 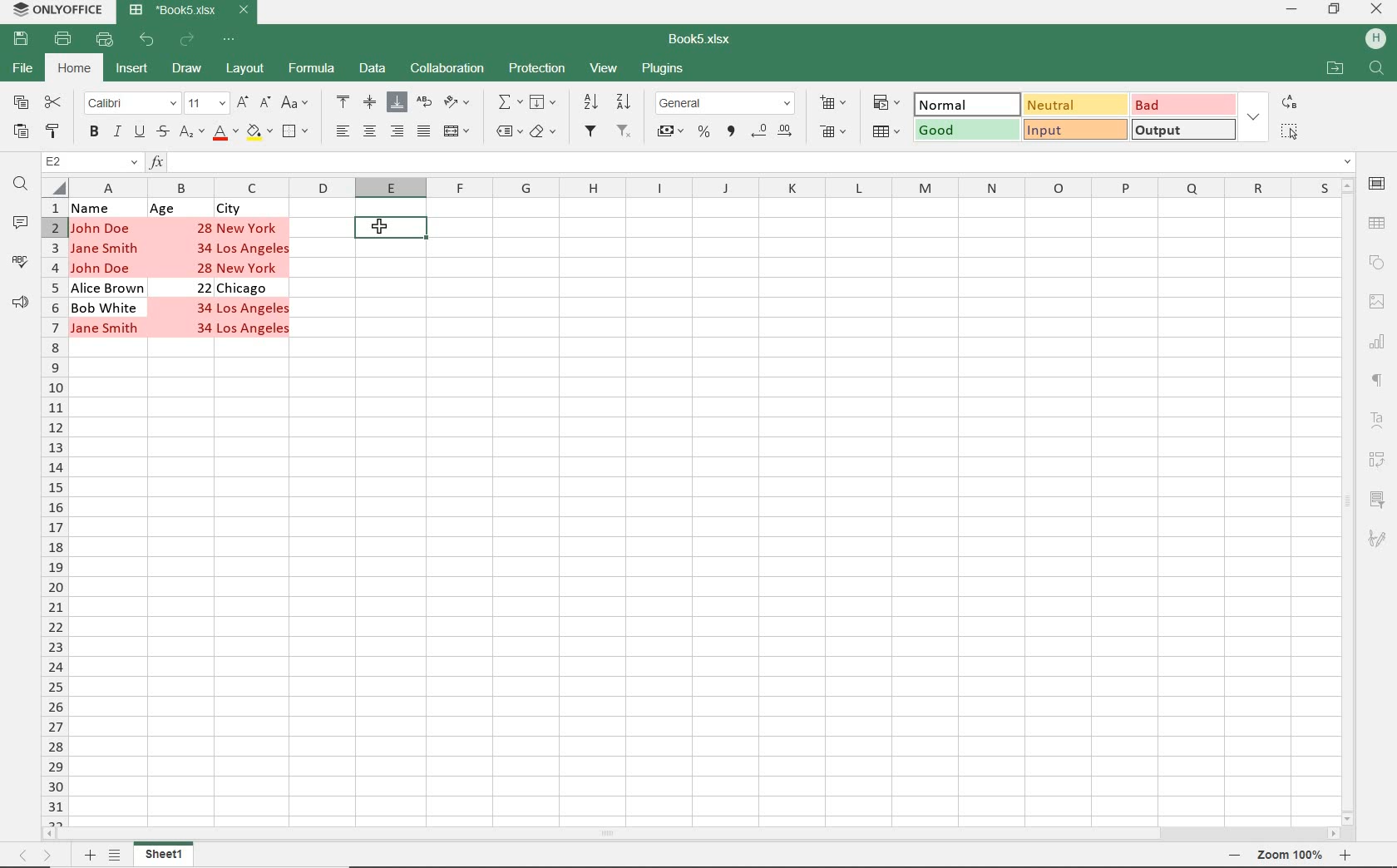 What do you see at coordinates (20, 39) in the screenshot?
I see `SAVE` at bounding box center [20, 39].